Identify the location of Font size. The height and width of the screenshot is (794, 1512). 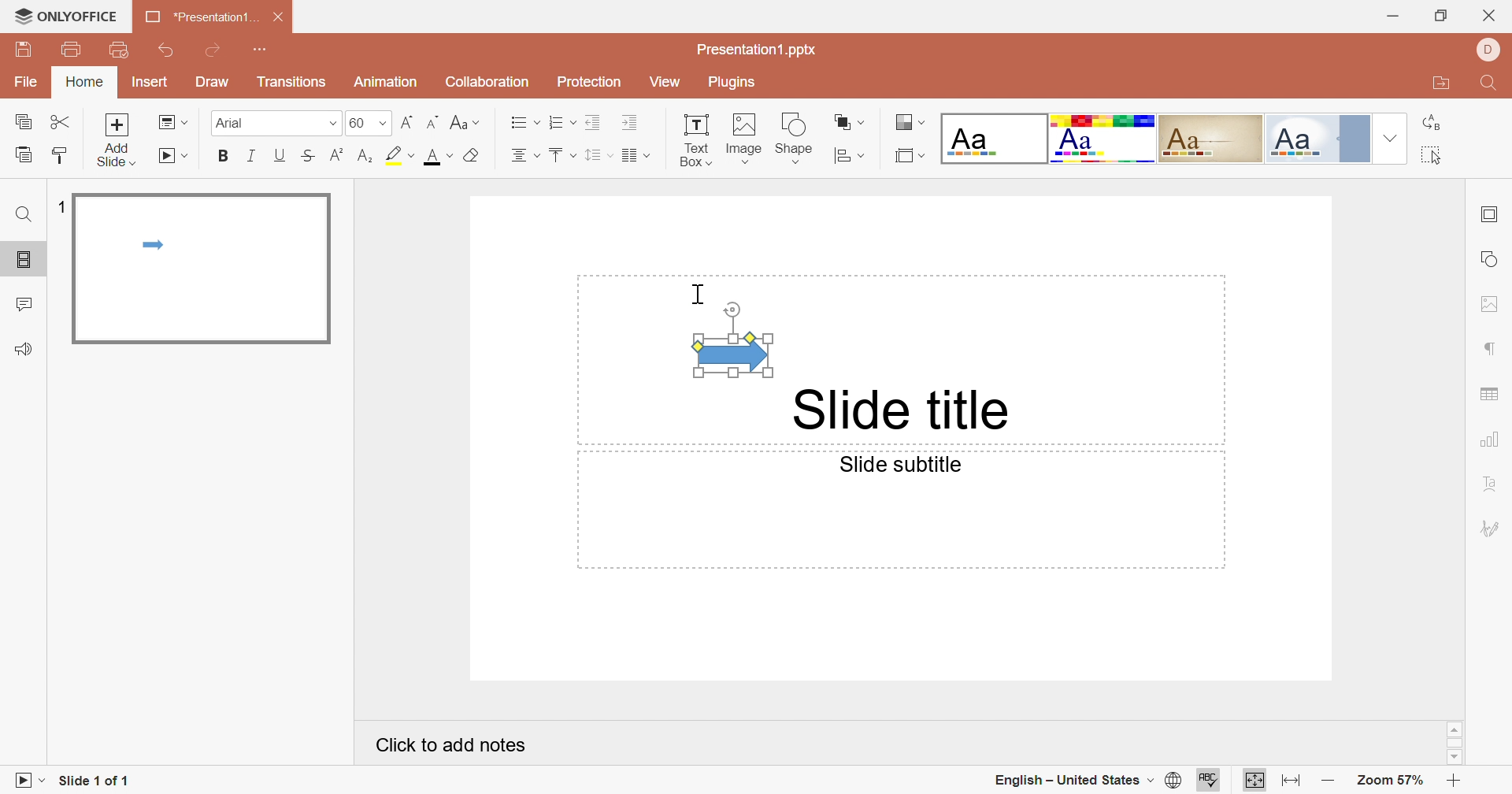
(369, 123).